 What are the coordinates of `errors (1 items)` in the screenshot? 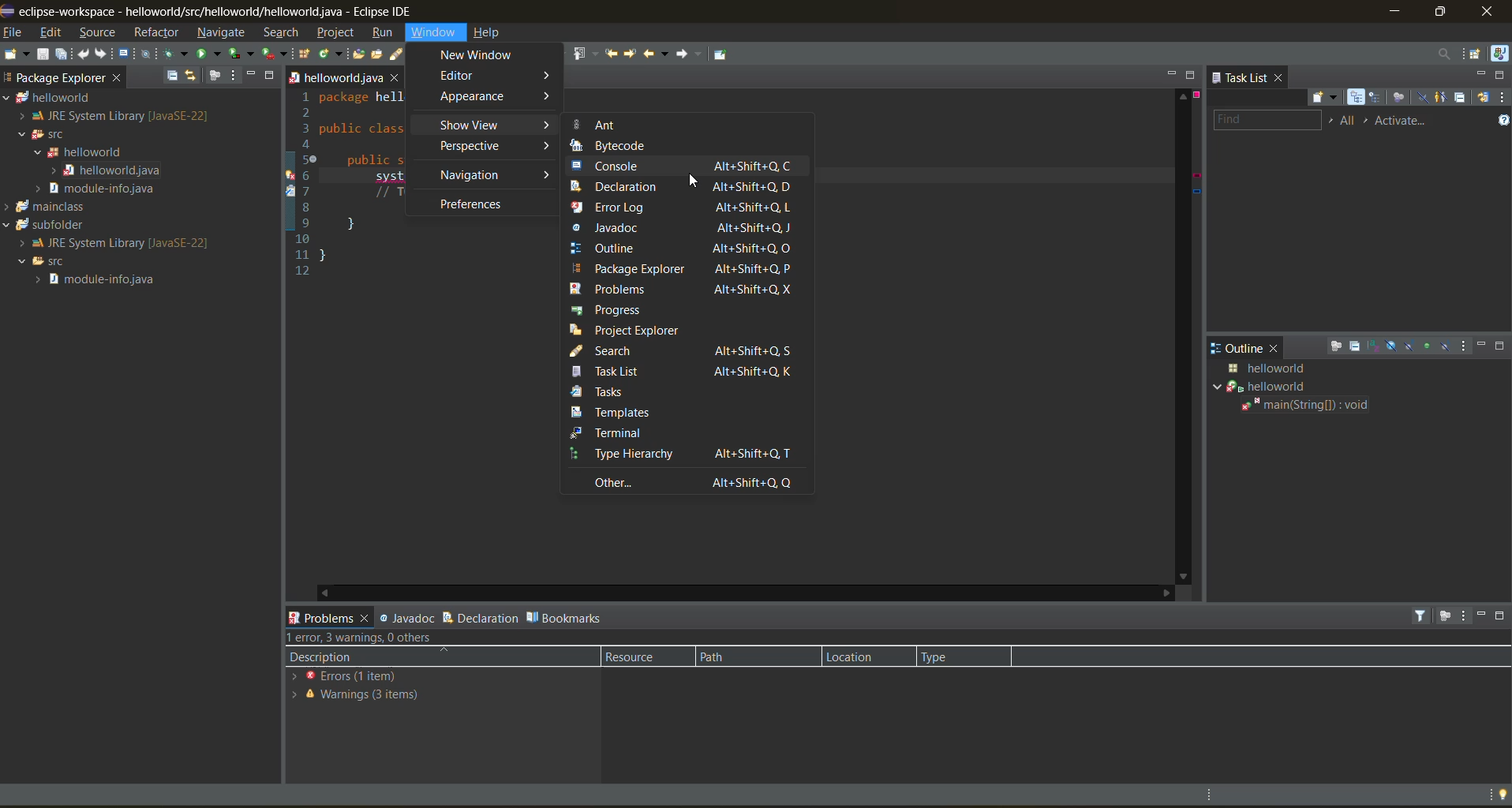 It's located at (369, 679).